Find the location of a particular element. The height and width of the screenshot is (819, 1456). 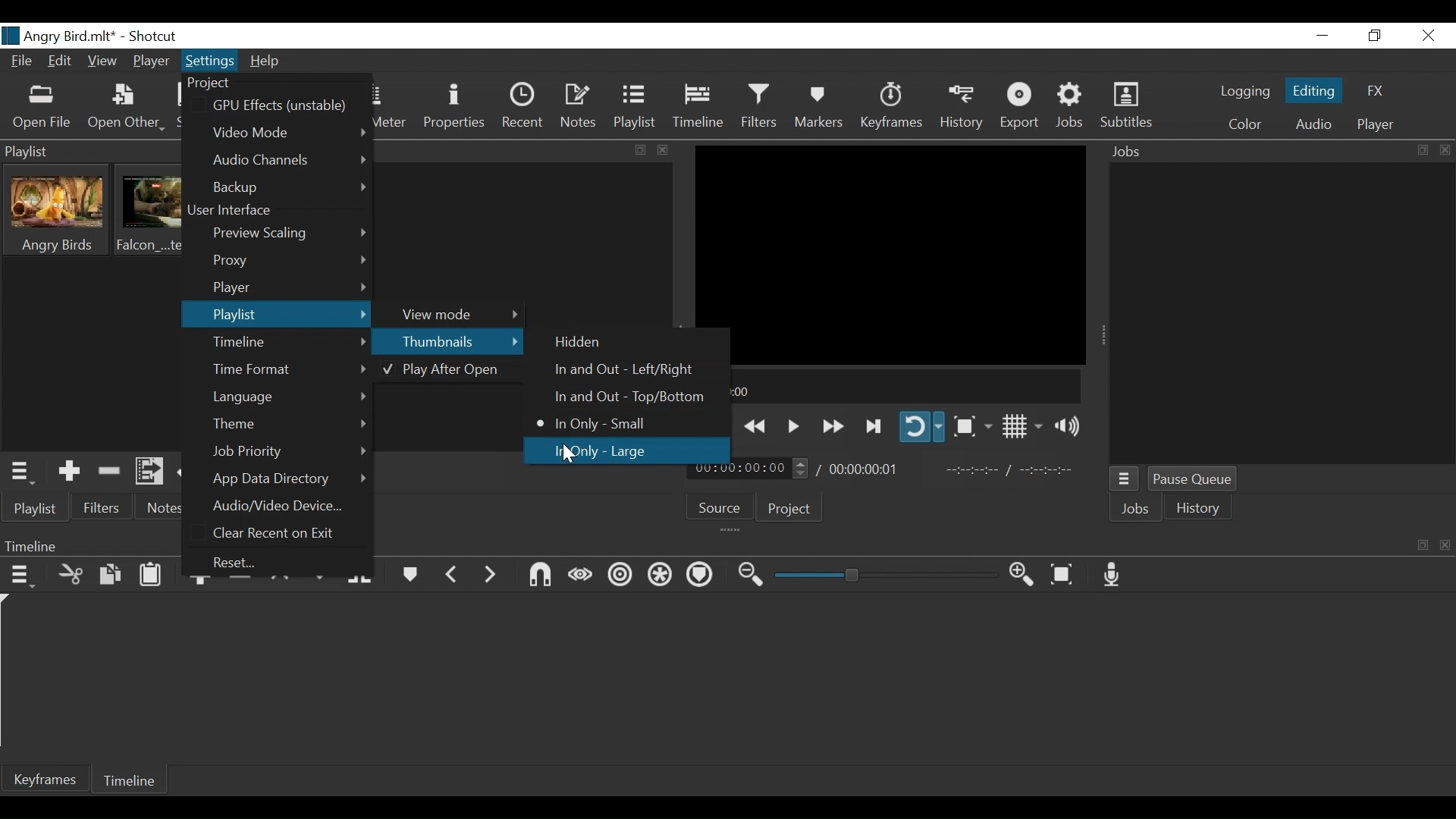

close is located at coordinates (668, 149).